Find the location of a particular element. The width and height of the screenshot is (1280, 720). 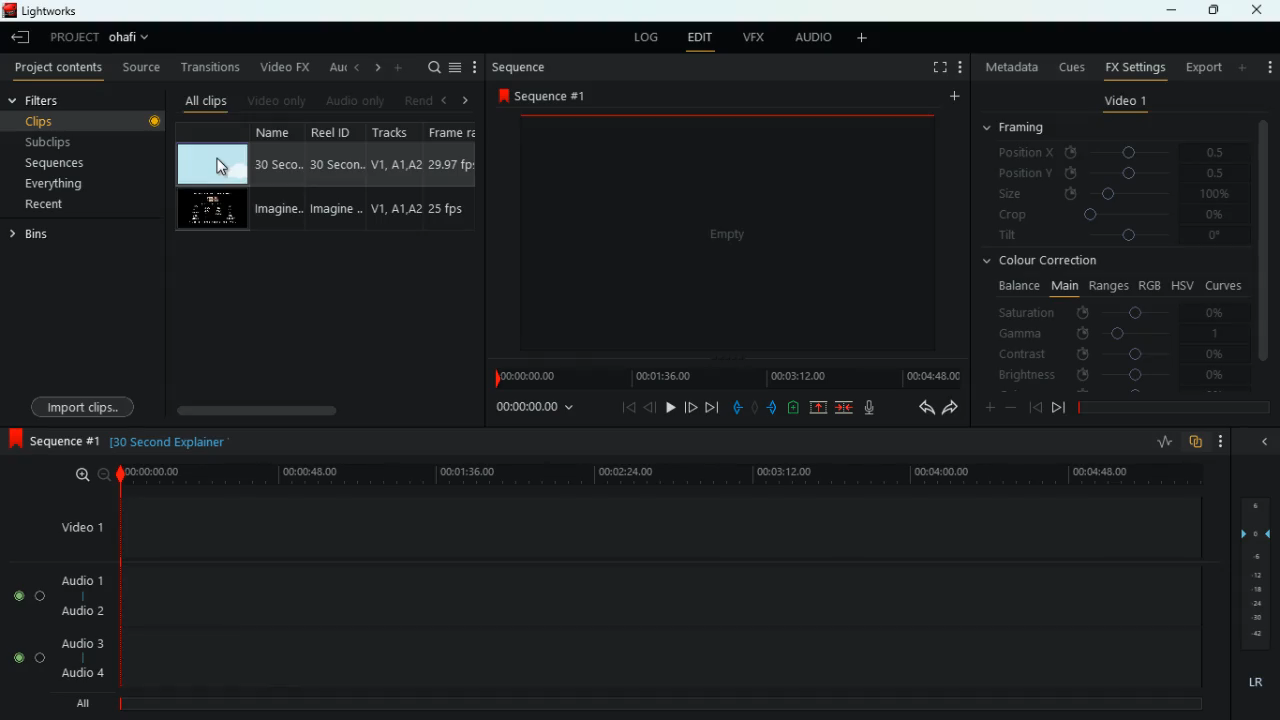

add is located at coordinates (1245, 67).